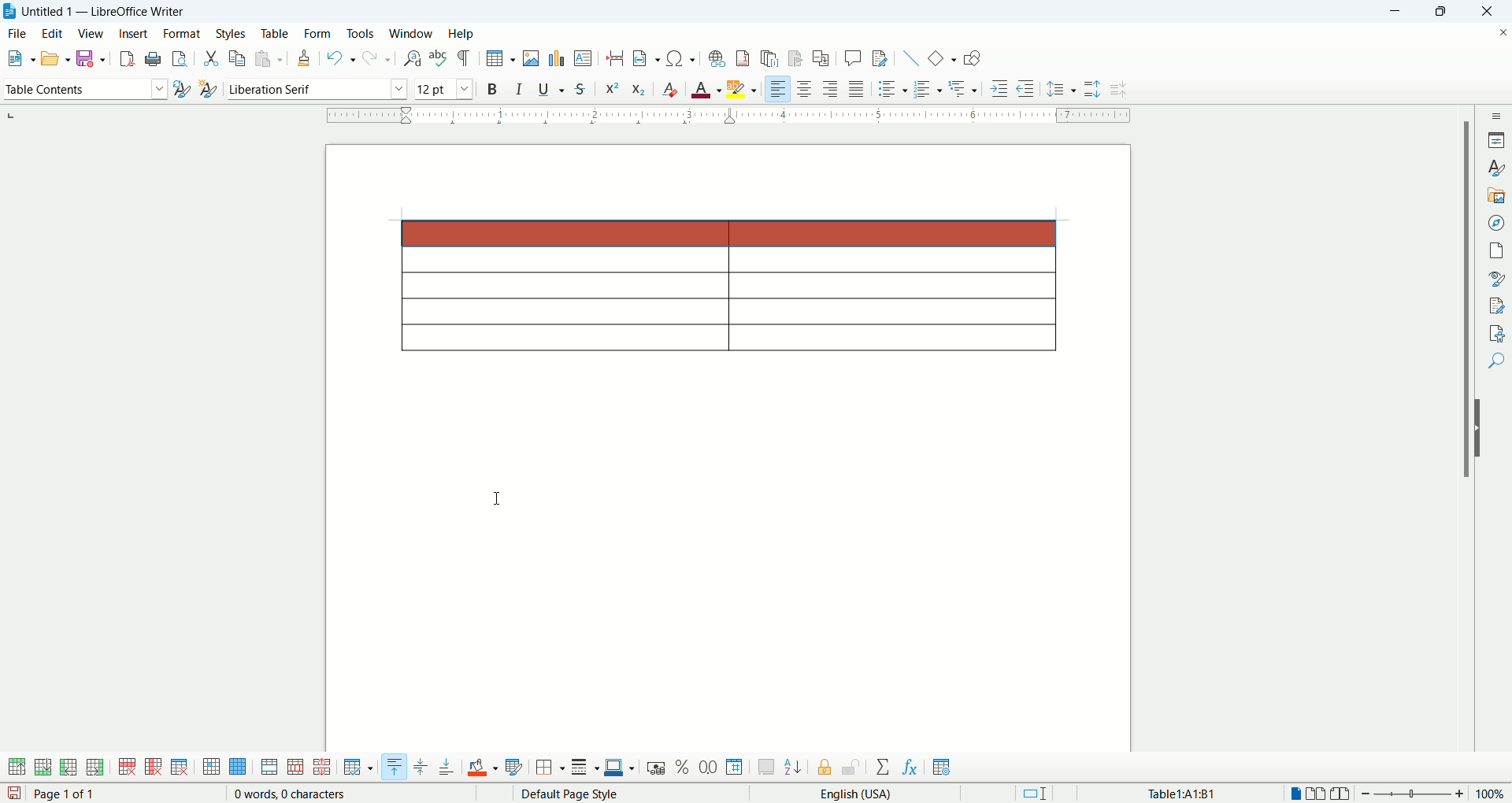 This screenshot has height=803, width=1512. What do you see at coordinates (1496, 304) in the screenshot?
I see `manage changes` at bounding box center [1496, 304].